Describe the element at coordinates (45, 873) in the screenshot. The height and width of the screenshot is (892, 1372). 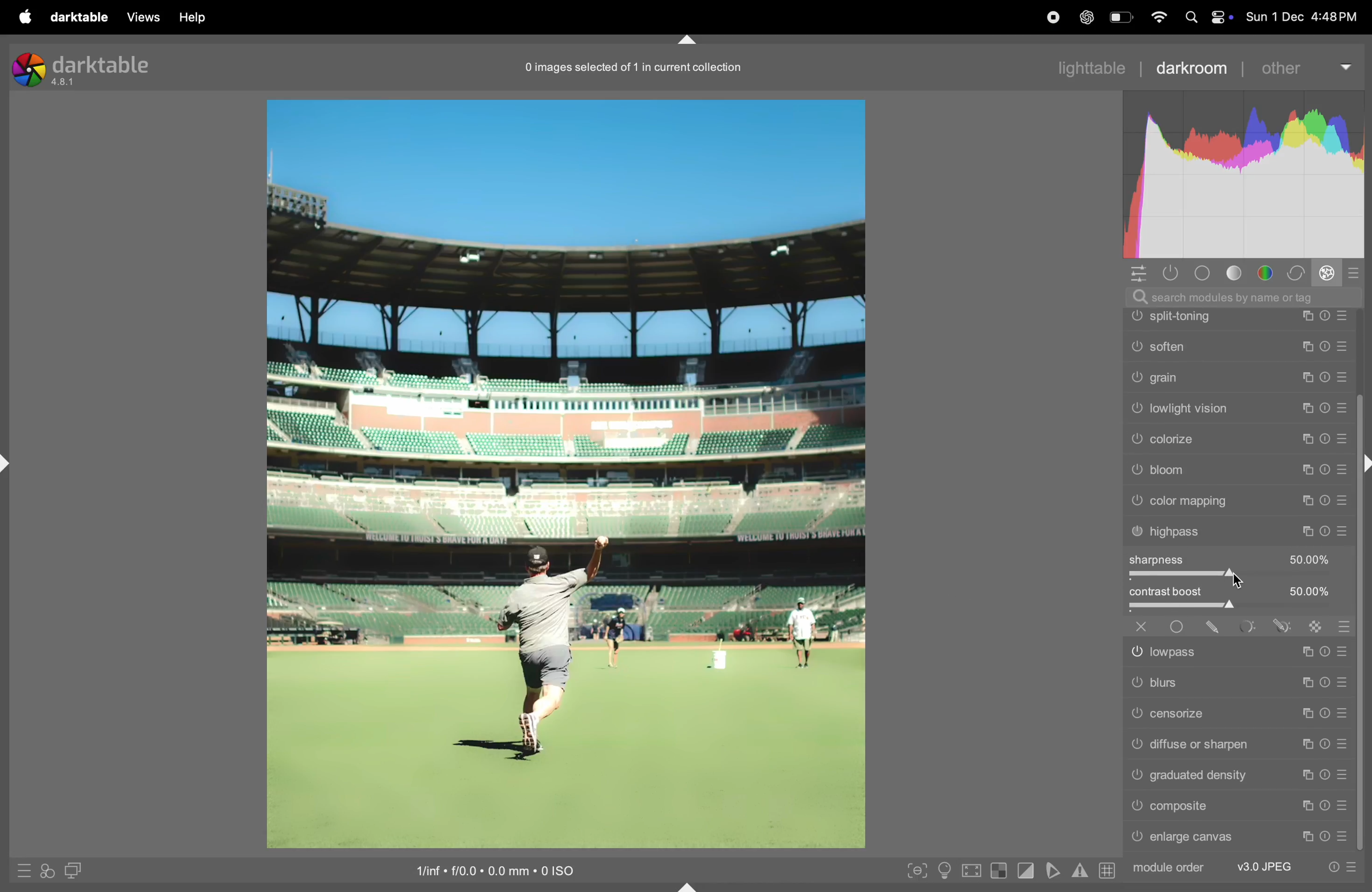
I see `quick acess applying styles` at that location.